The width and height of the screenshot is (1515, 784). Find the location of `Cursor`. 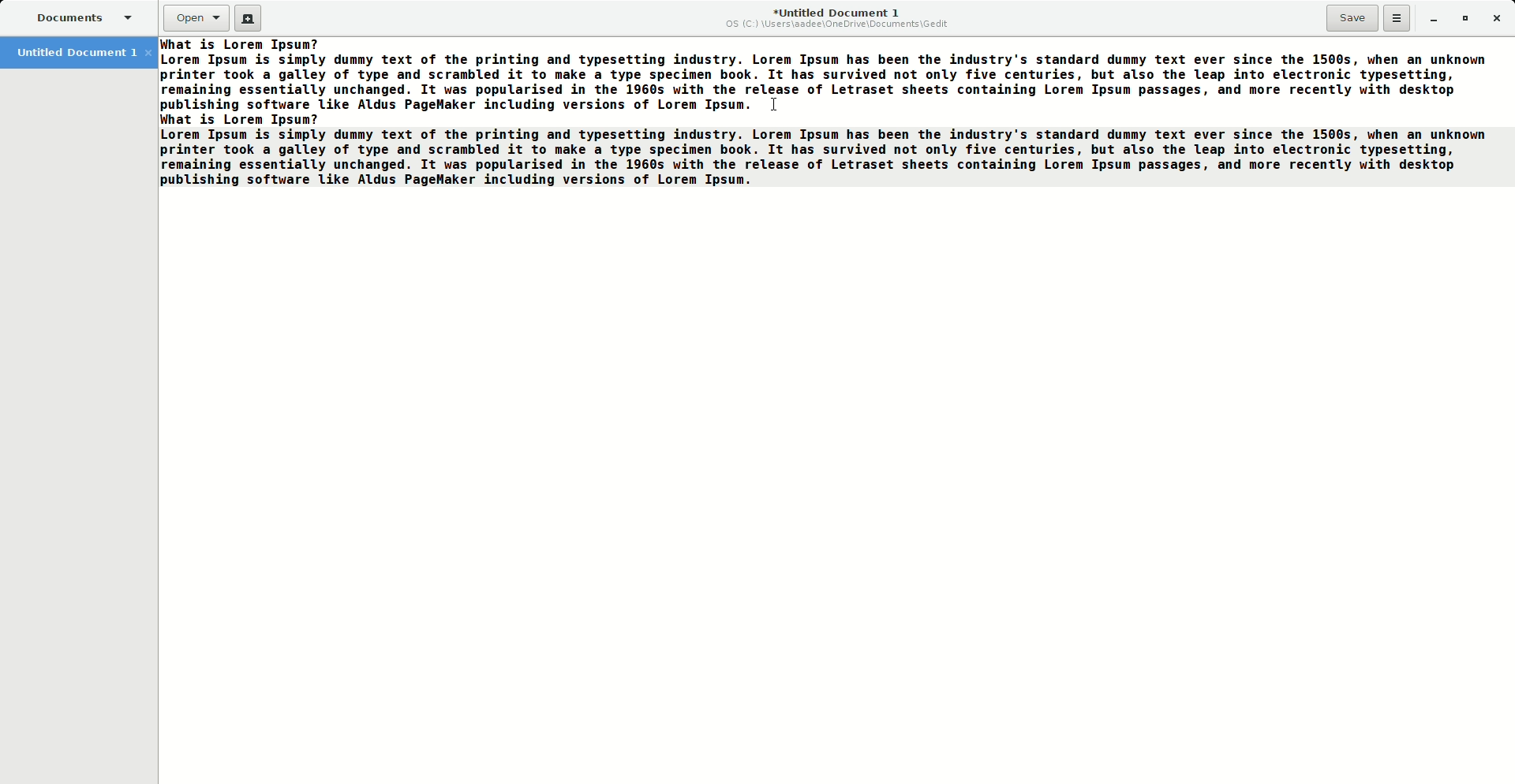

Cursor is located at coordinates (772, 106).